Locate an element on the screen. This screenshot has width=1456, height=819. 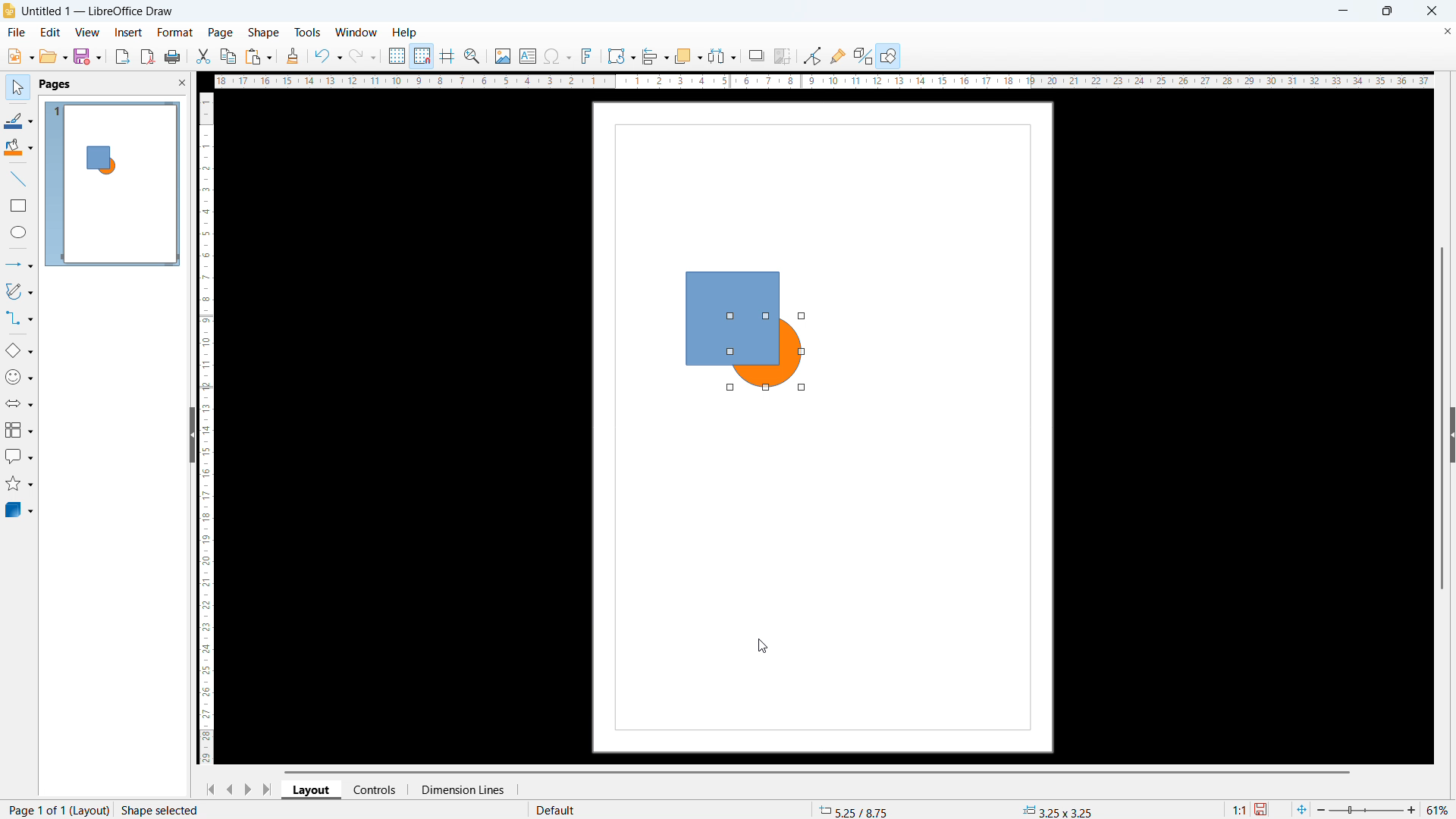
minimise  is located at coordinates (1342, 11).